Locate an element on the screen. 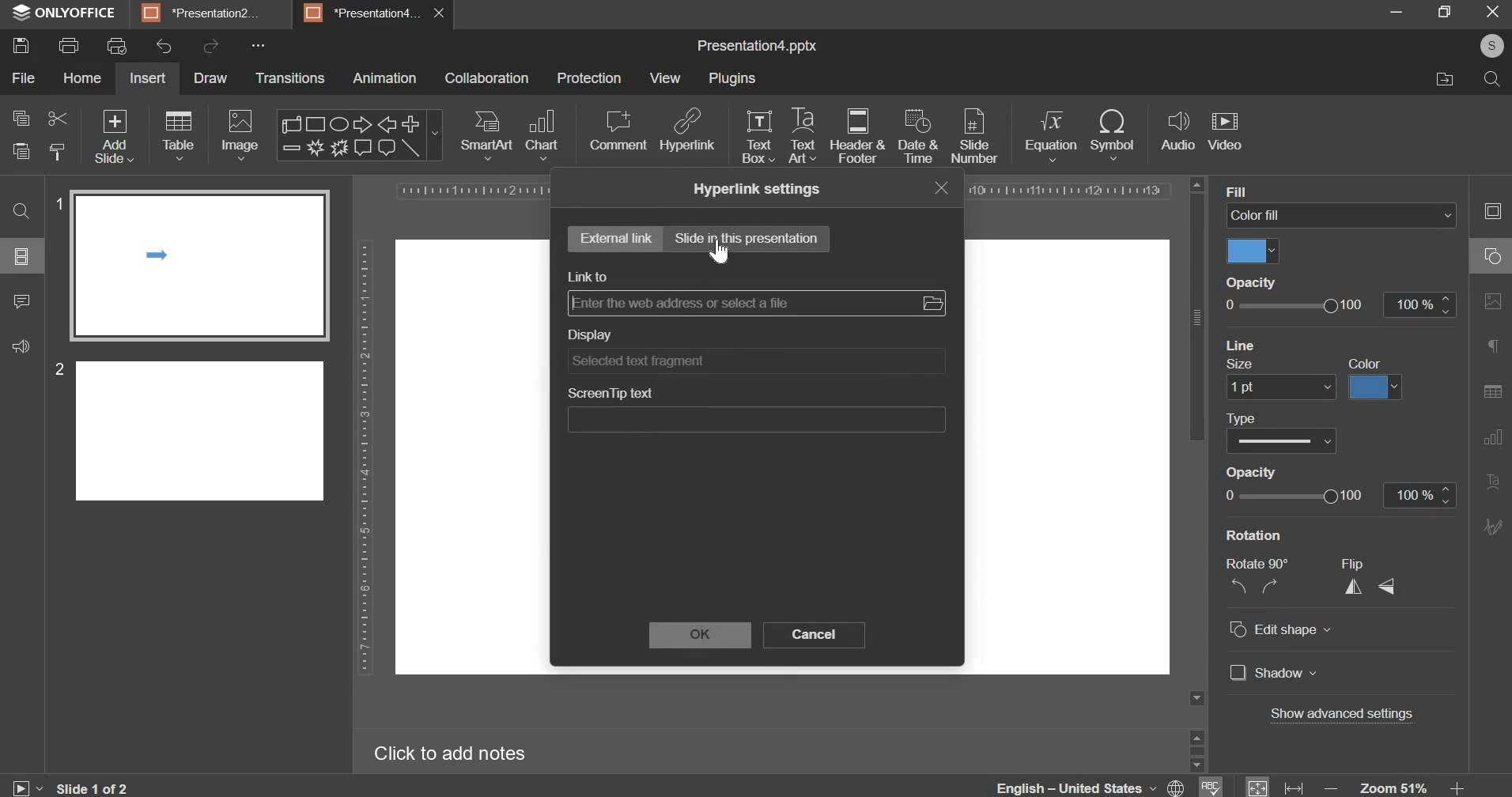  Display is located at coordinates (600, 334).